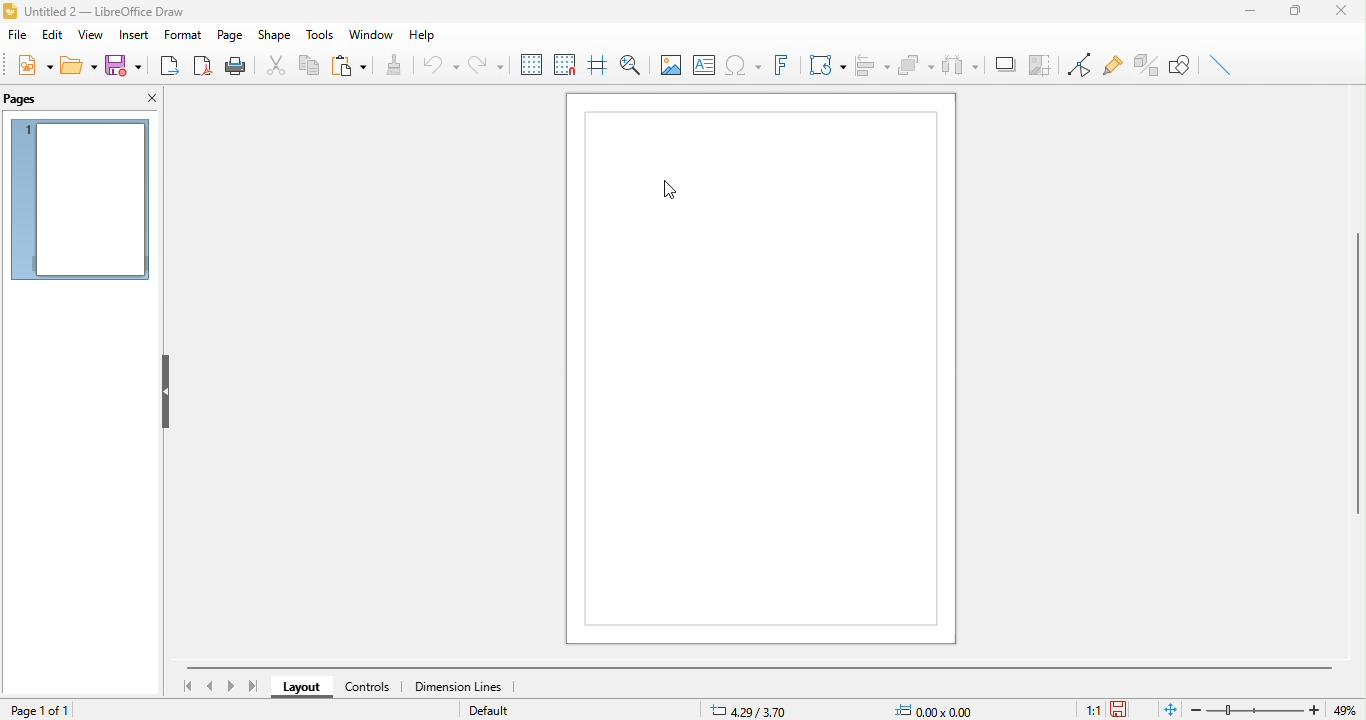 This screenshot has height=720, width=1366. Describe the element at coordinates (1357, 377) in the screenshot. I see `vertical scroll bar` at that location.